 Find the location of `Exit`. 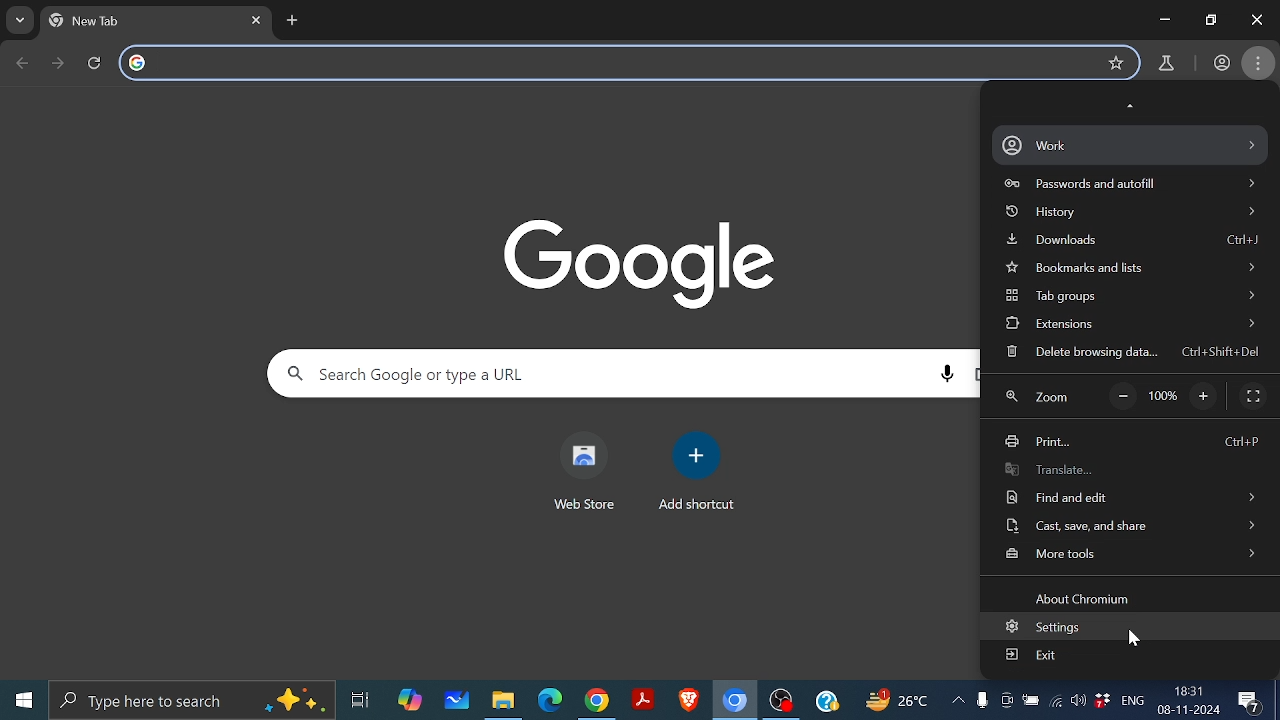

Exit is located at coordinates (1032, 654).